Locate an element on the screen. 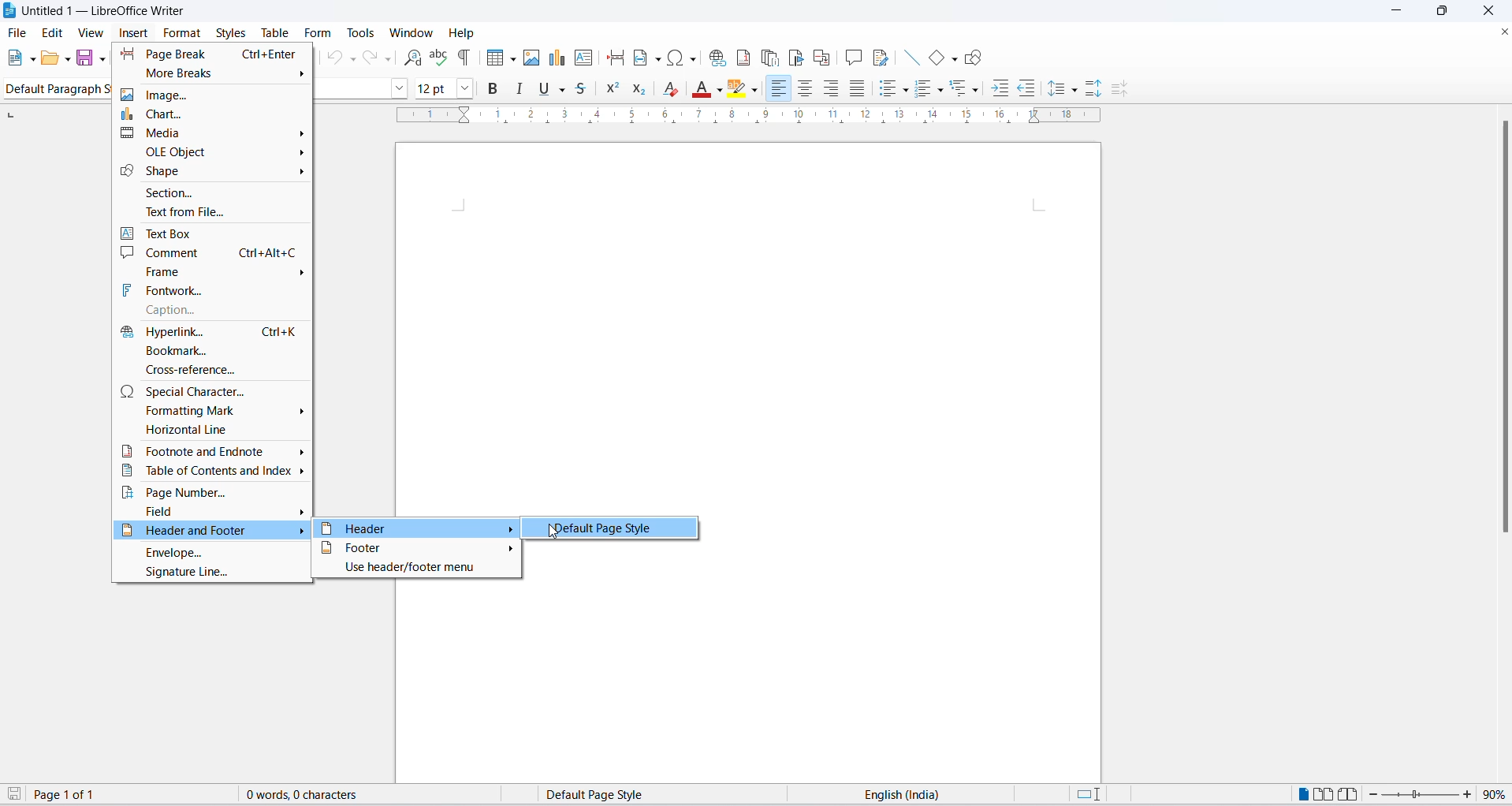 The image size is (1512, 806). undo is located at coordinates (337, 58).